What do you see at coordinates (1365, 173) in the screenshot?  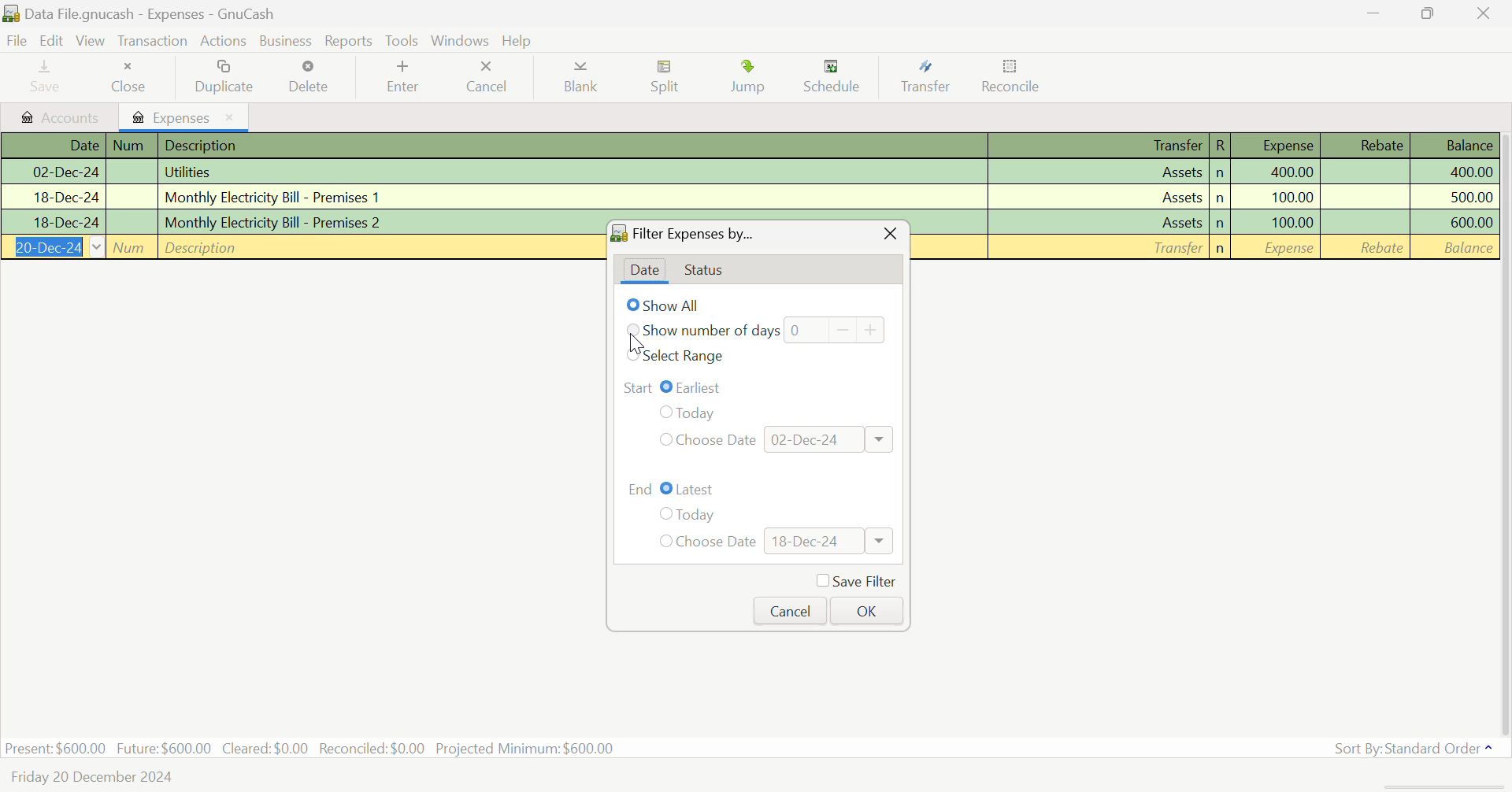 I see `Rebate` at bounding box center [1365, 173].